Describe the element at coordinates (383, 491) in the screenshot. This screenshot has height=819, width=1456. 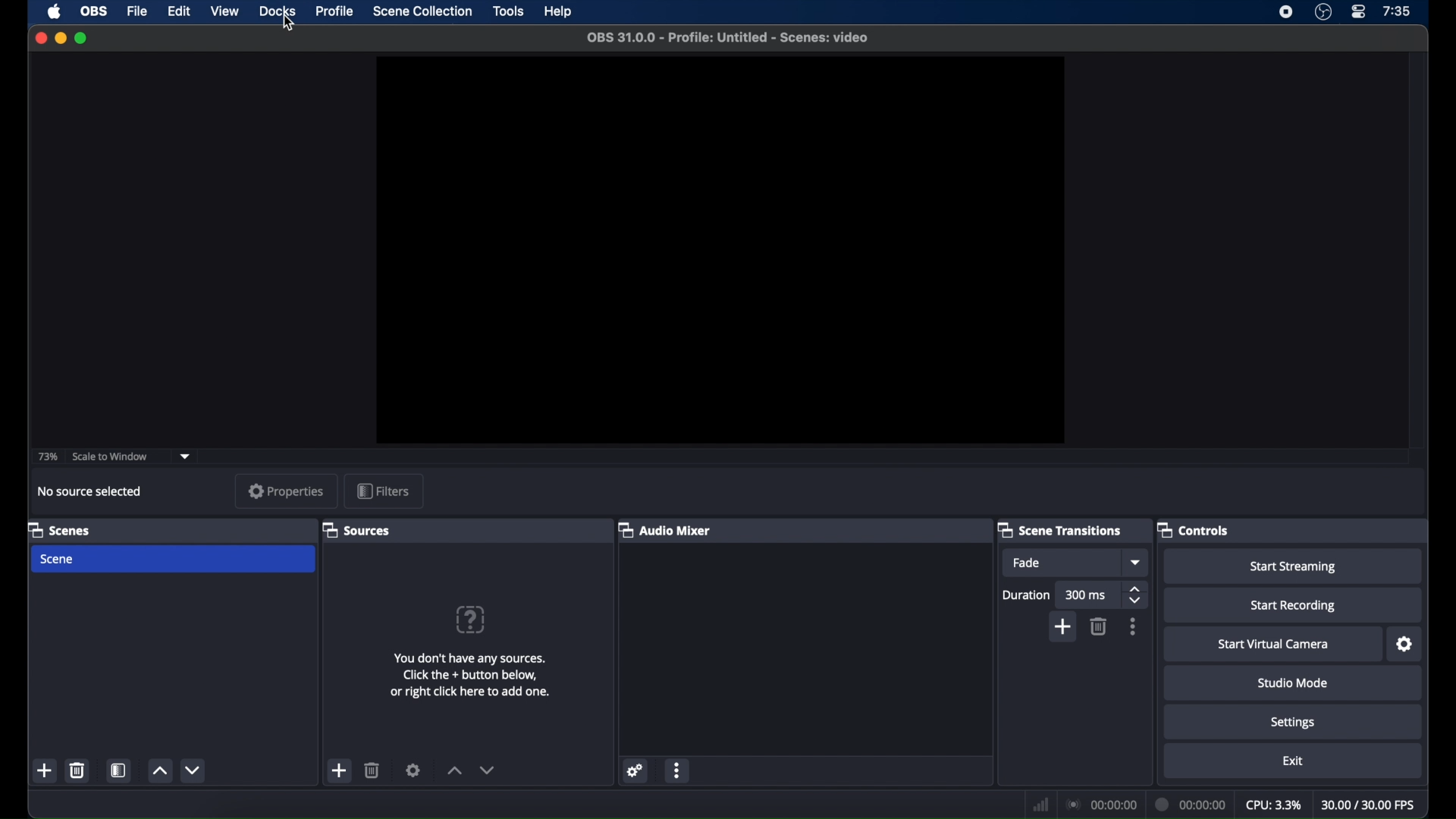
I see `filters` at that location.